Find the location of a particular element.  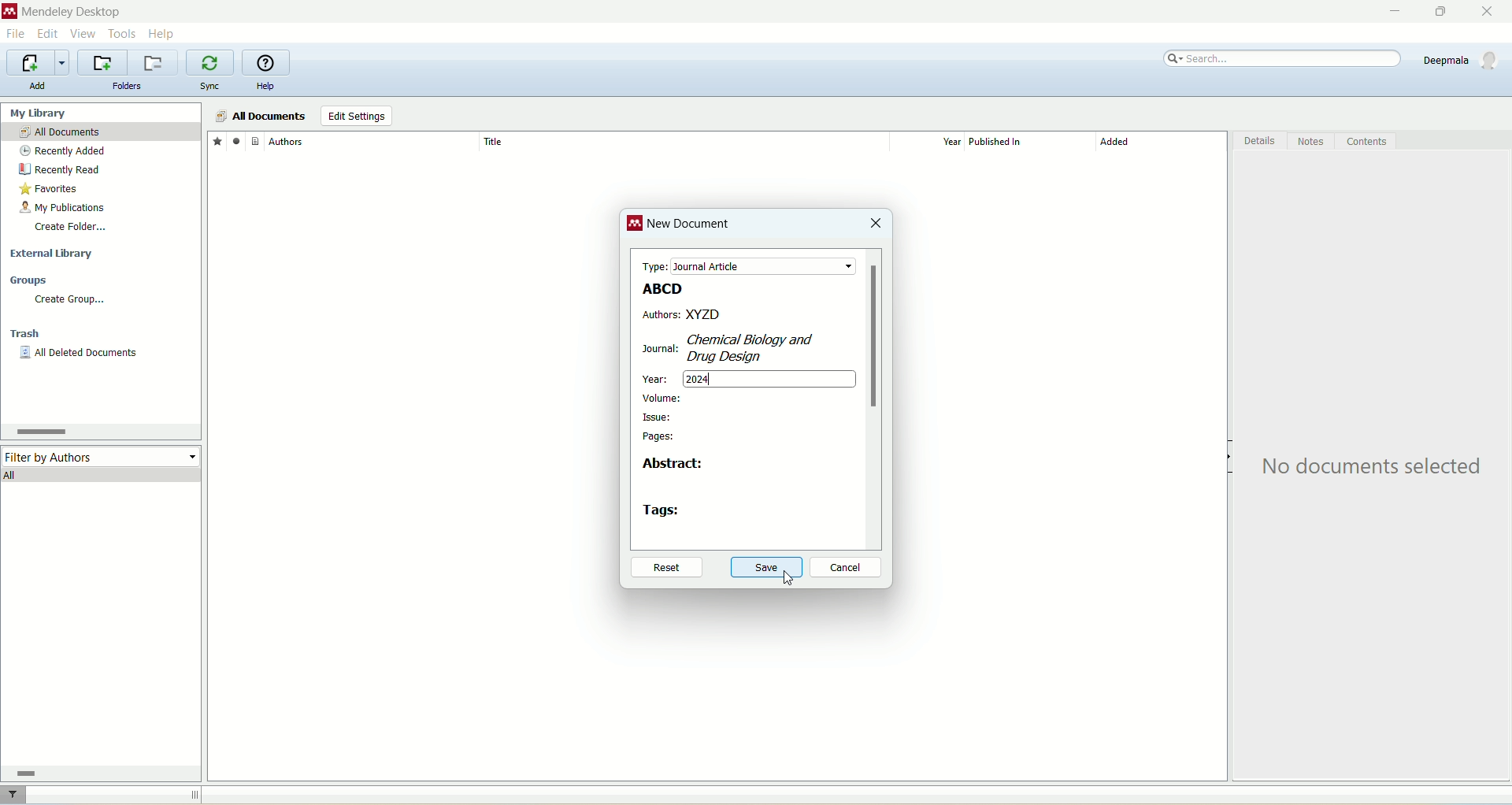

cancel is located at coordinates (847, 568).